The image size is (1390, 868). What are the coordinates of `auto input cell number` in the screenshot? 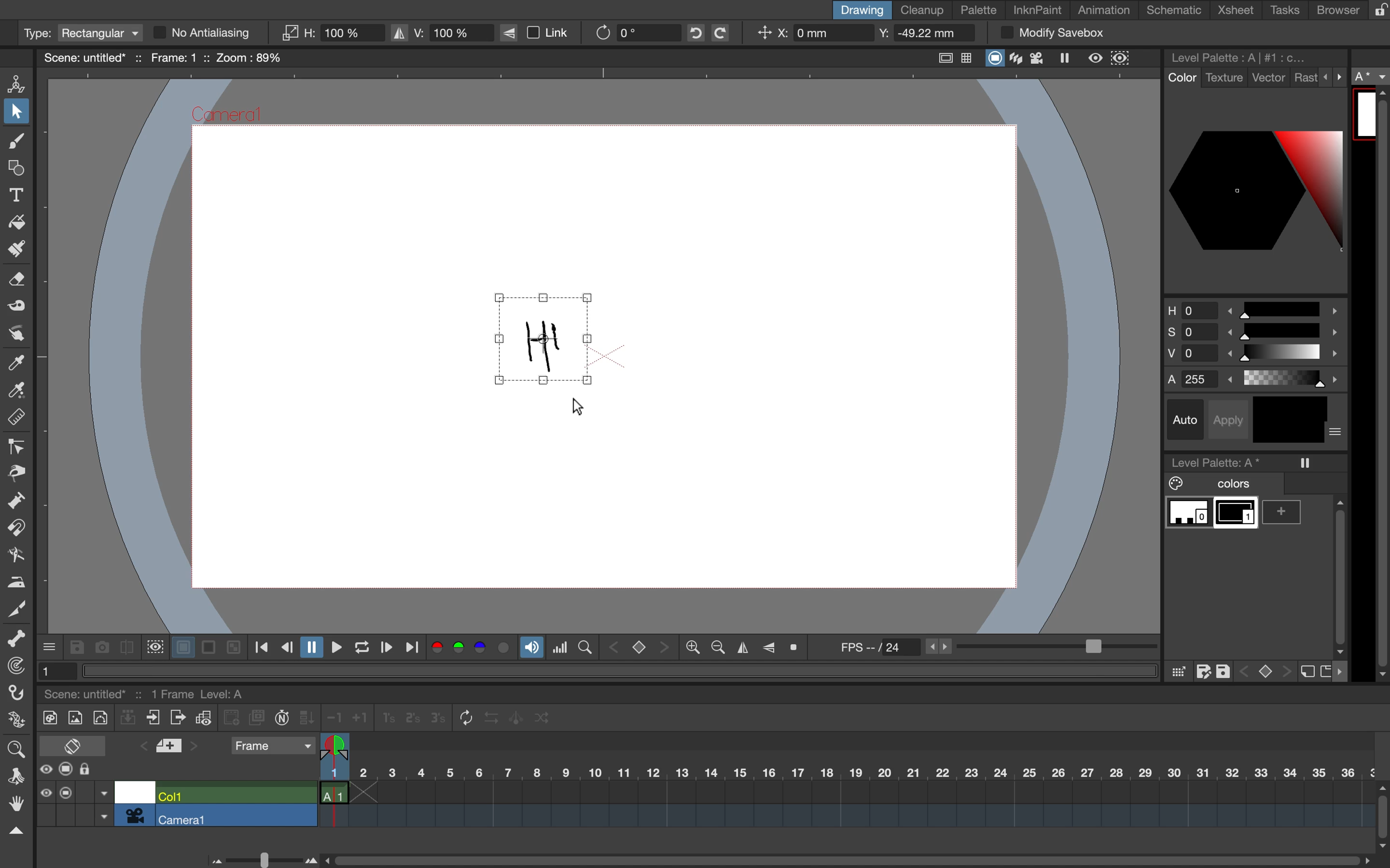 It's located at (282, 720).